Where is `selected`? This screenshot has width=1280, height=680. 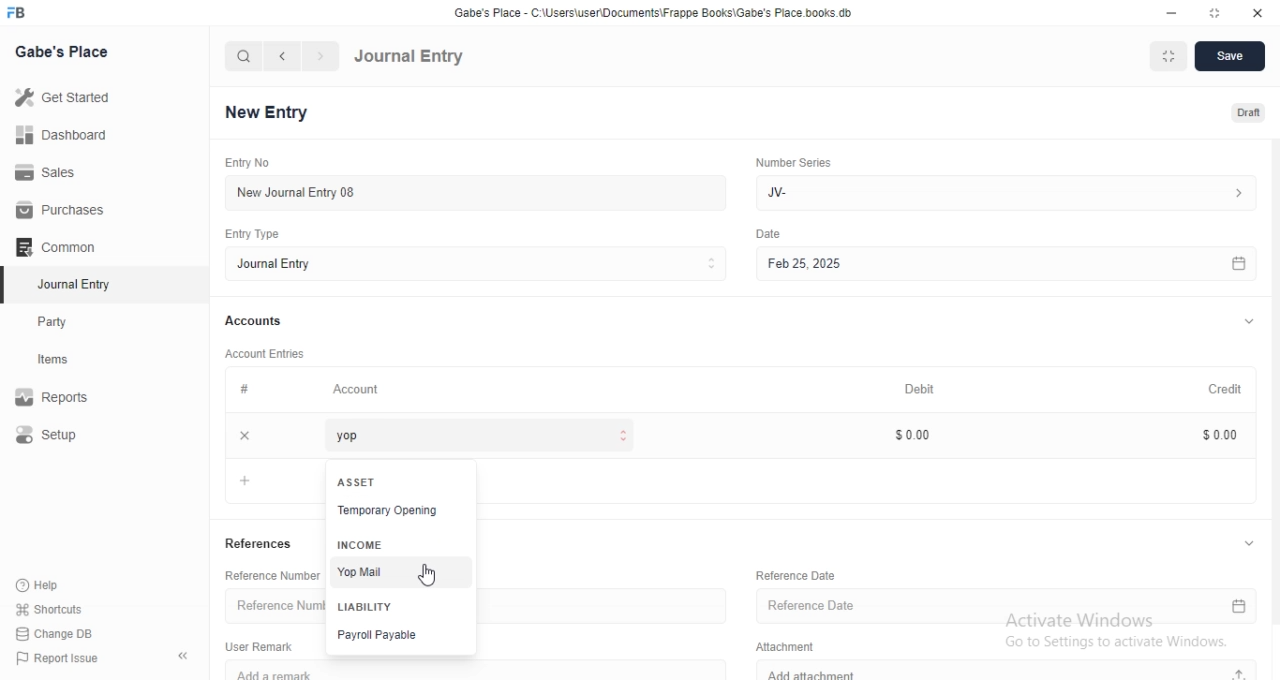
selected is located at coordinates (8, 286).